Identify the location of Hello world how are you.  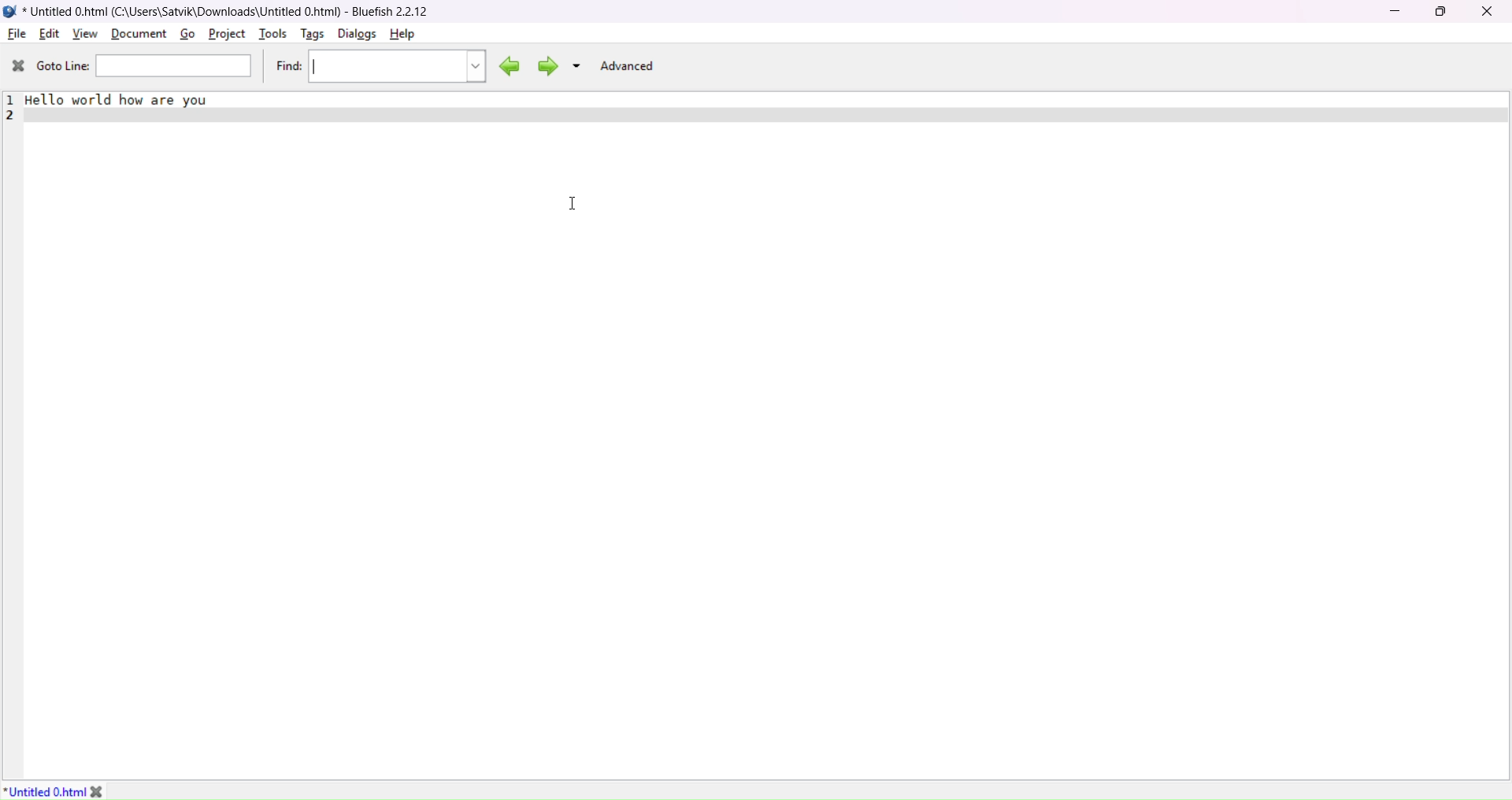
(132, 103).